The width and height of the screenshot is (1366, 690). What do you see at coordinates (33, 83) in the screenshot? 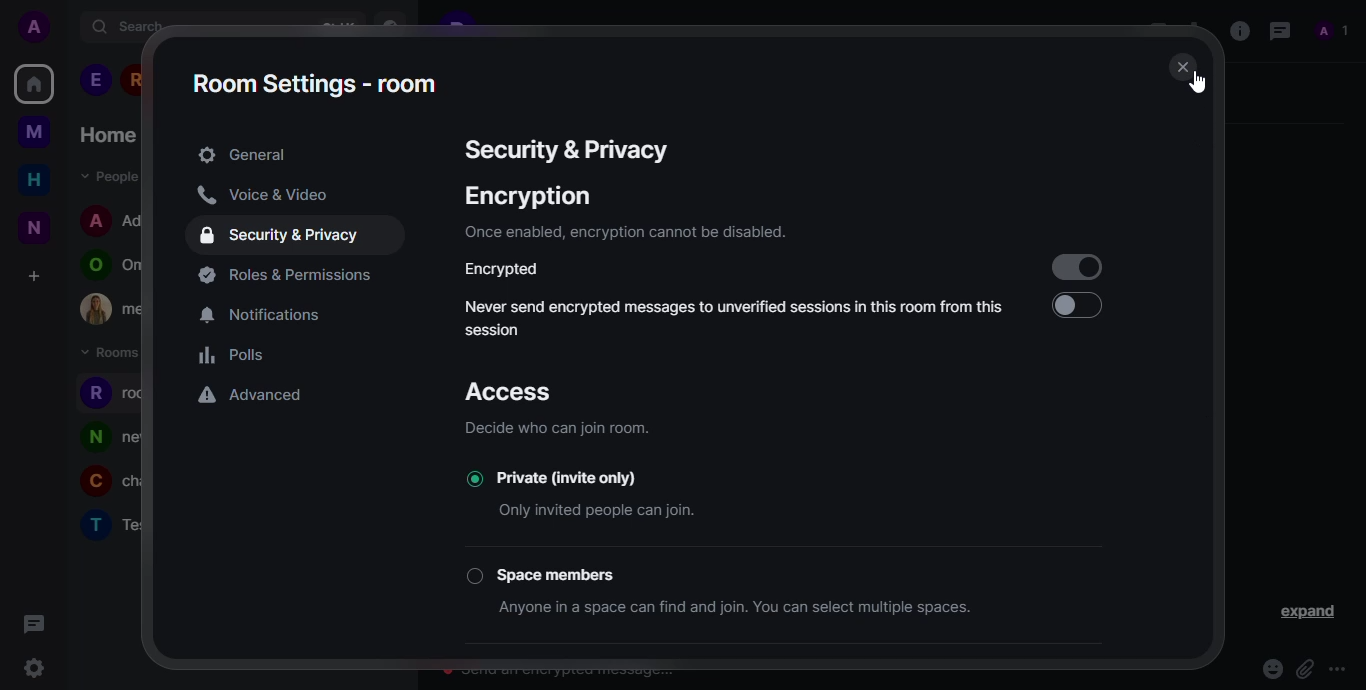
I see `home` at bounding box center [33, 83].